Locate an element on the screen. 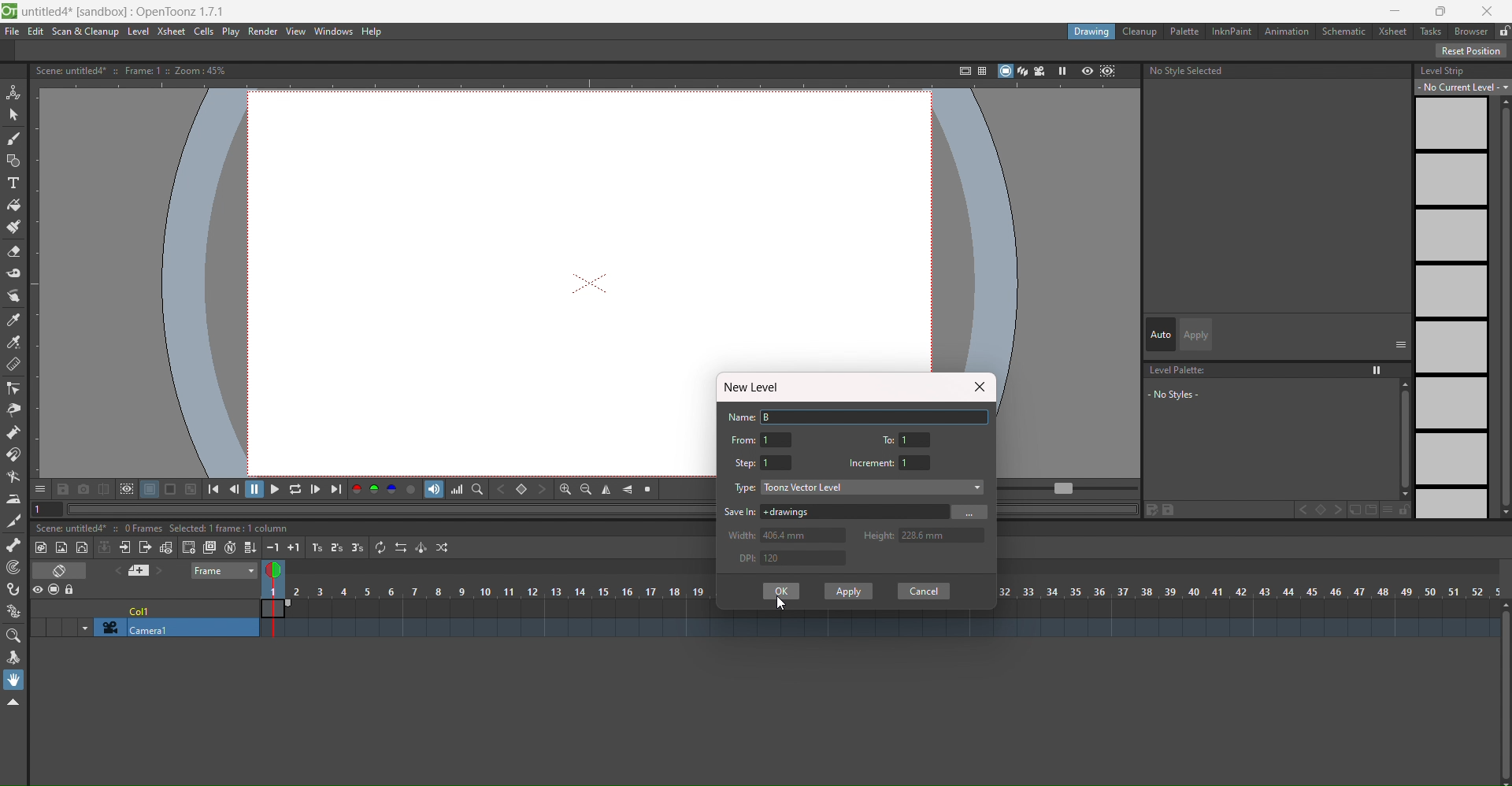 This screenshot has height=786, width=1512. 1 is located at coordinates (917, 462).